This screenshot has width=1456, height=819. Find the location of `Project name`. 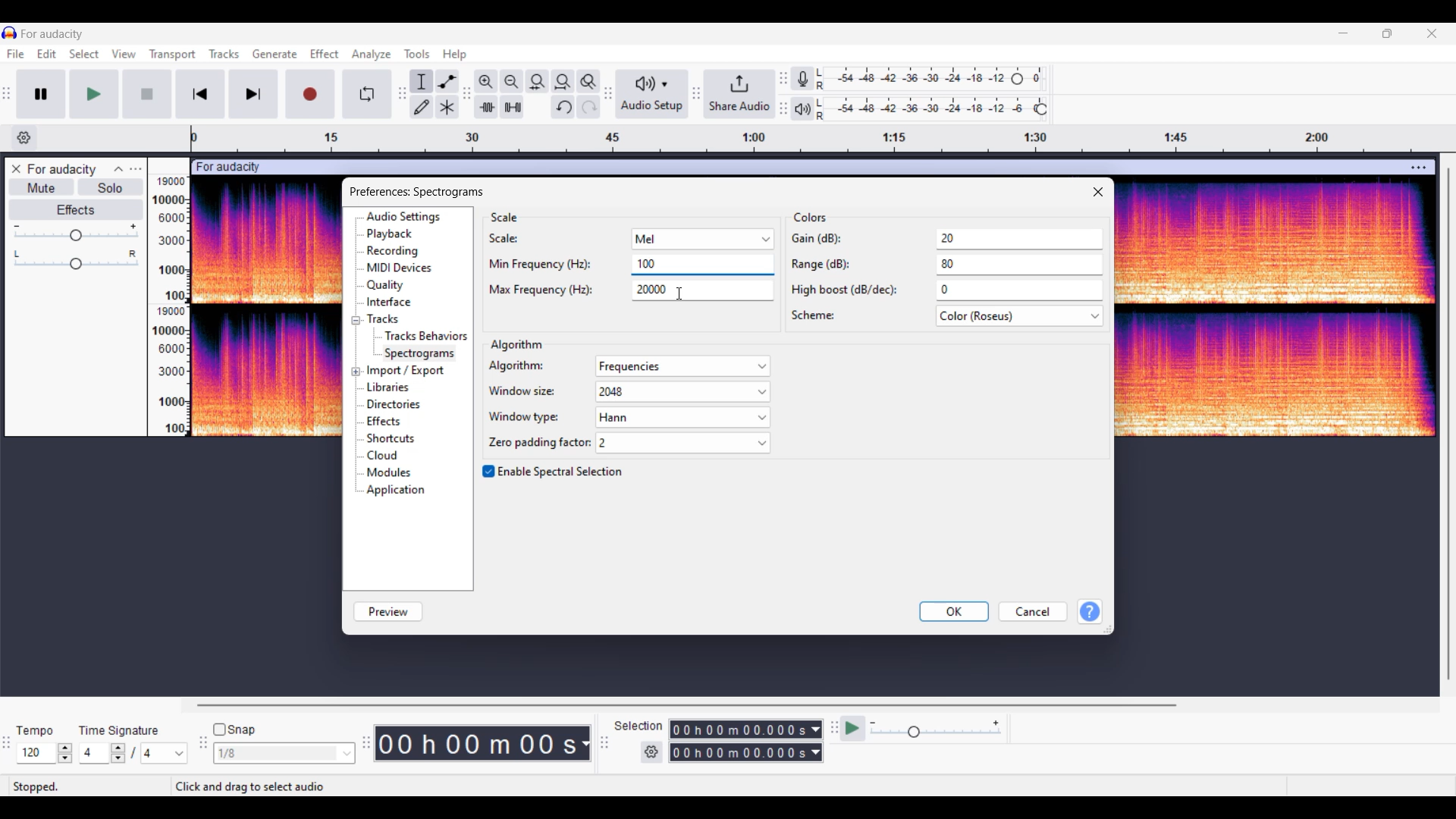

Project name is located at coordinates (53, 34).